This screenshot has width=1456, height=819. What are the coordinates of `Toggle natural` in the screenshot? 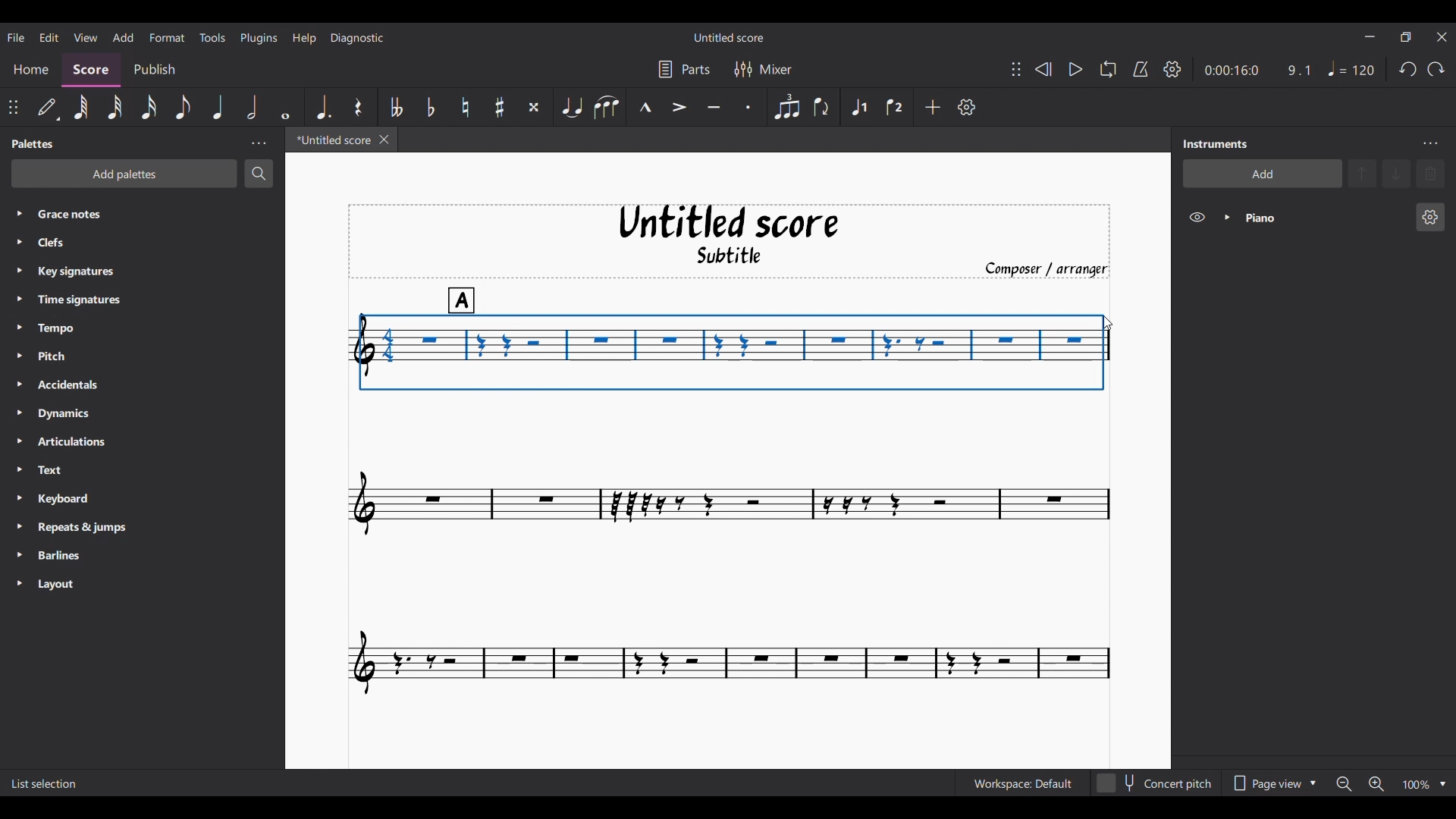 It's located at (465, 107).